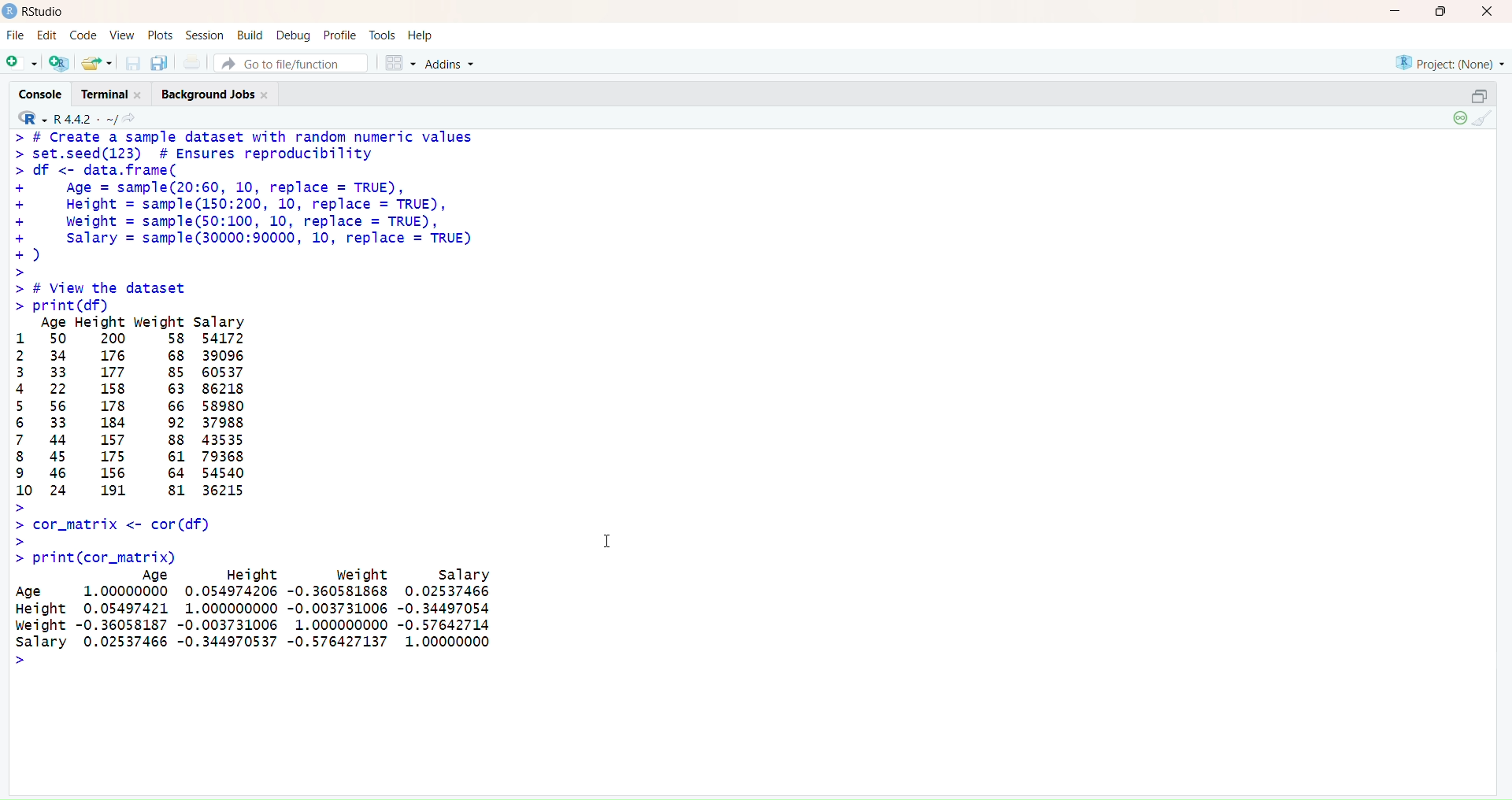 Image resolution: width=1512 pixels, height=800 pixels. I want to click on Go to file/function, so click(290, 64).